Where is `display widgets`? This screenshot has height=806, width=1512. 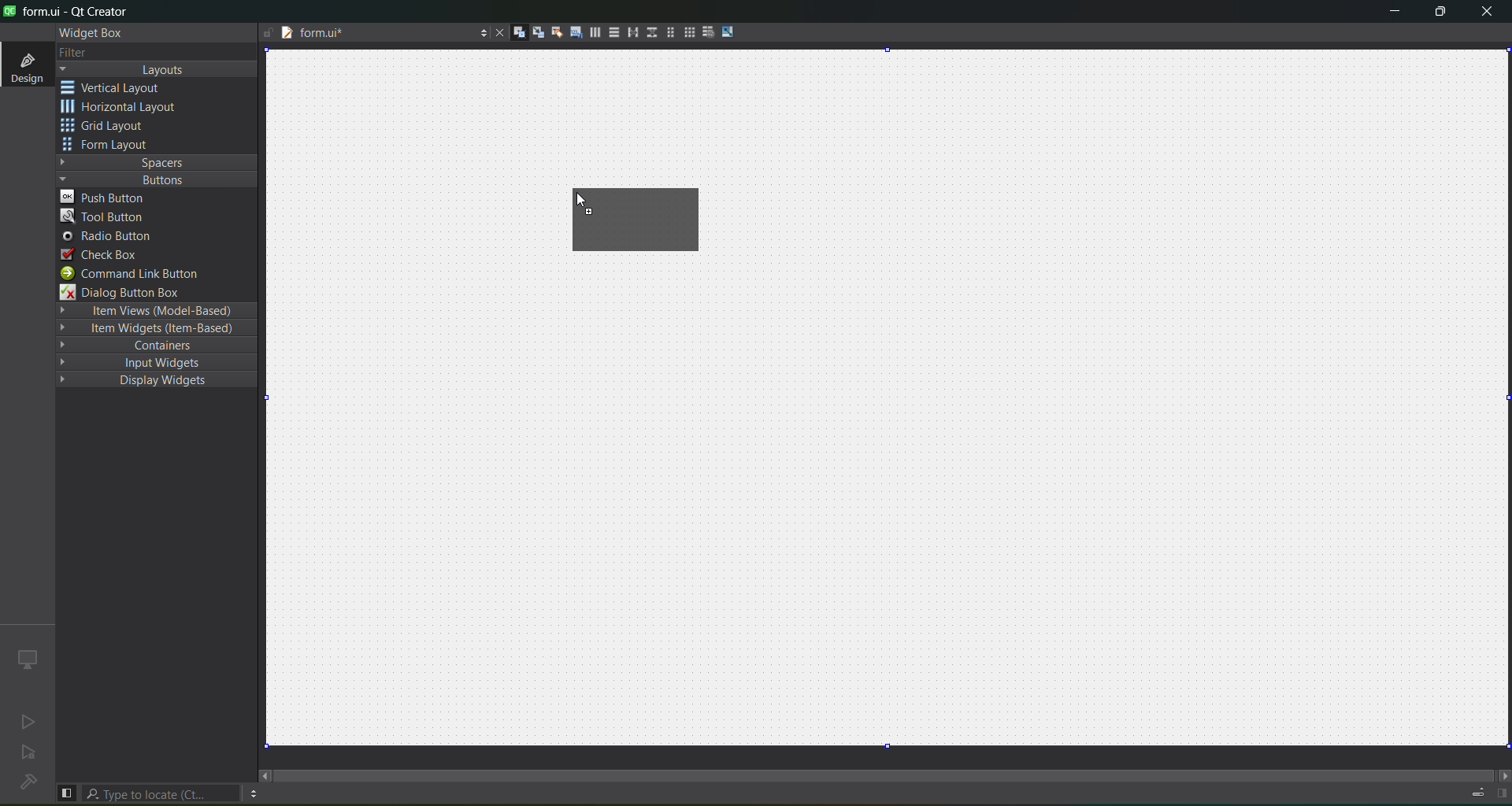 display widgets is located at coordinates (145, 381).